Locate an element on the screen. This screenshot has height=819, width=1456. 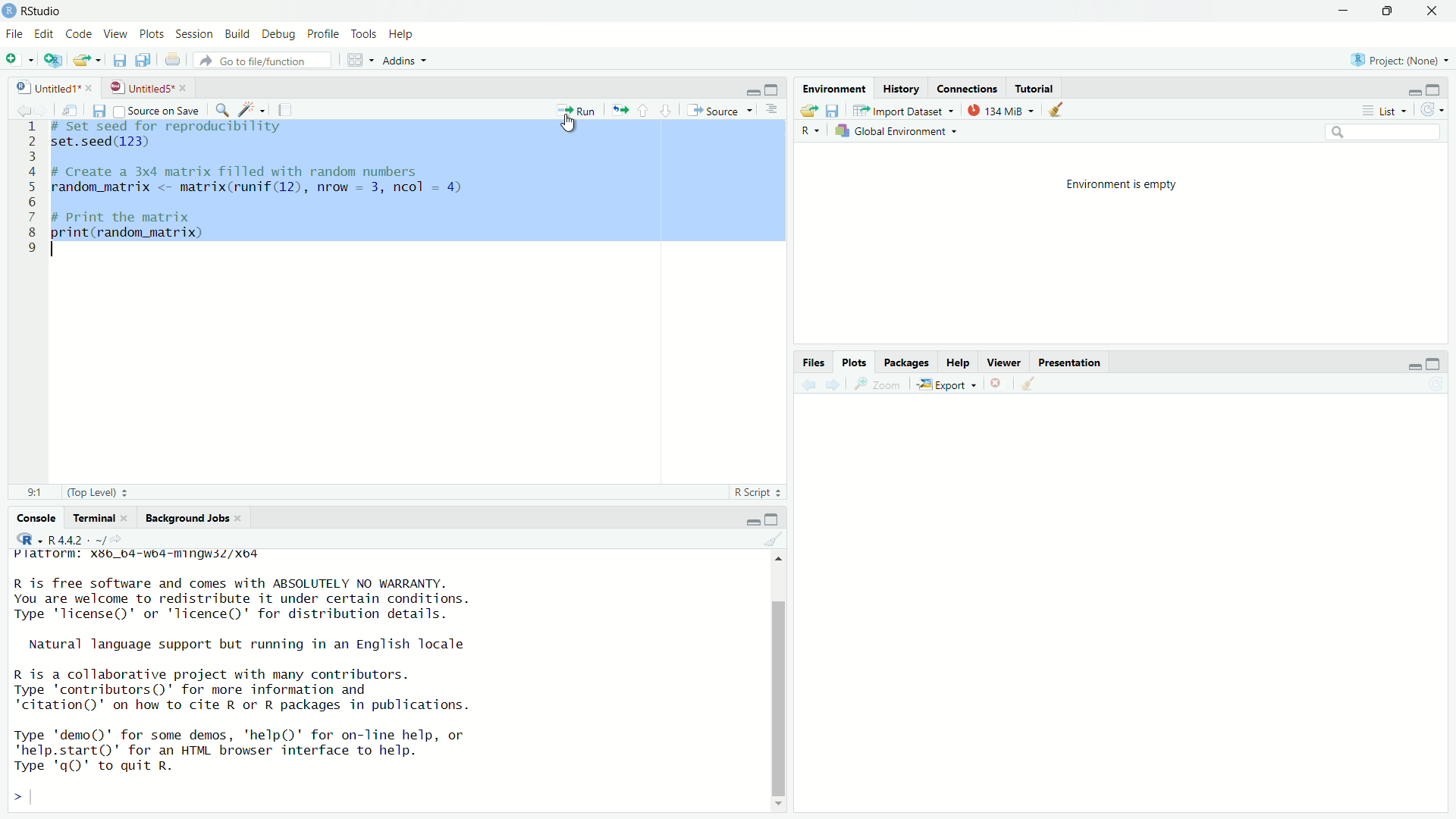
maximise is located at coordinates (1392, 14).